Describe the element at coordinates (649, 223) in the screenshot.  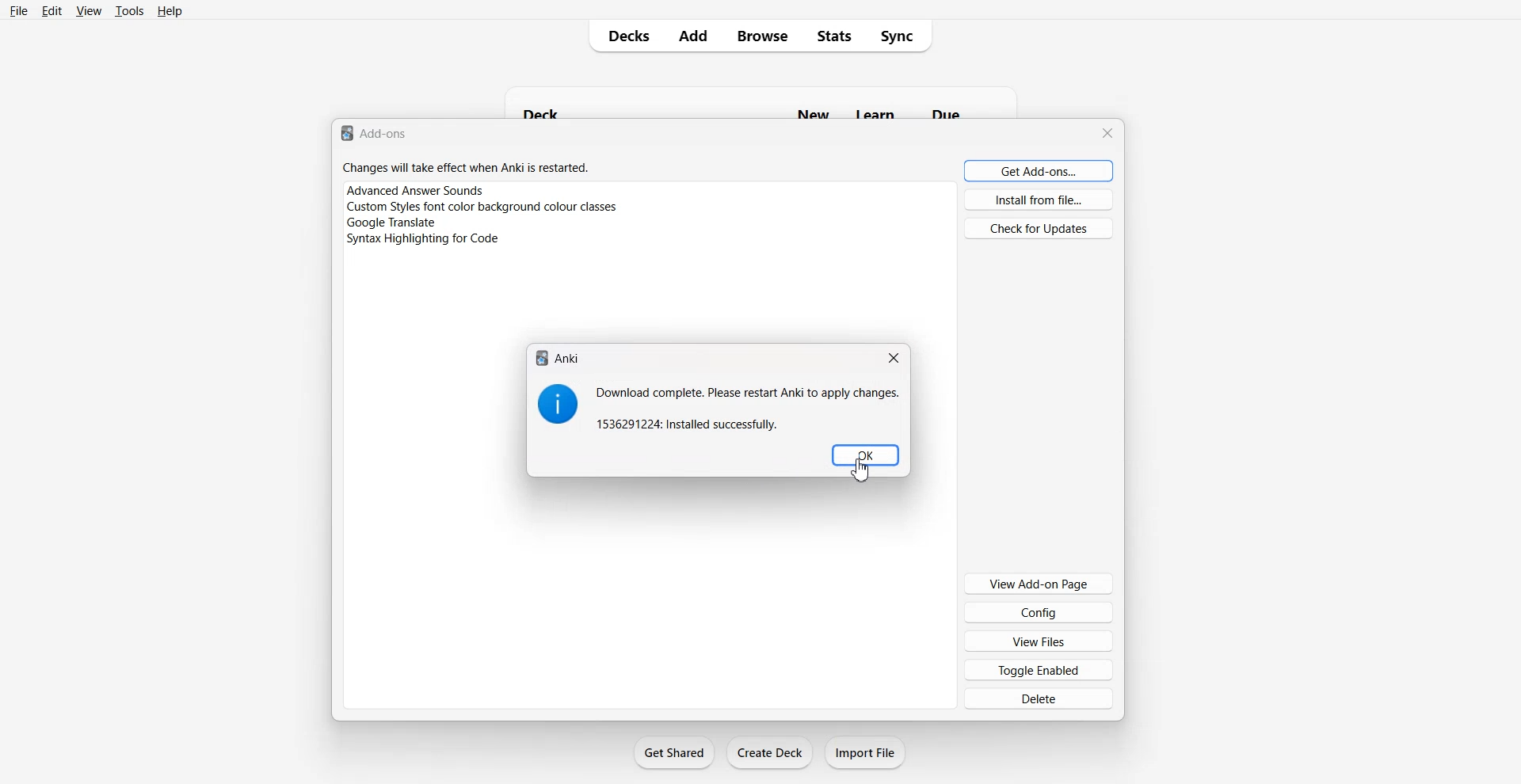
I see `Plugins` at that location.